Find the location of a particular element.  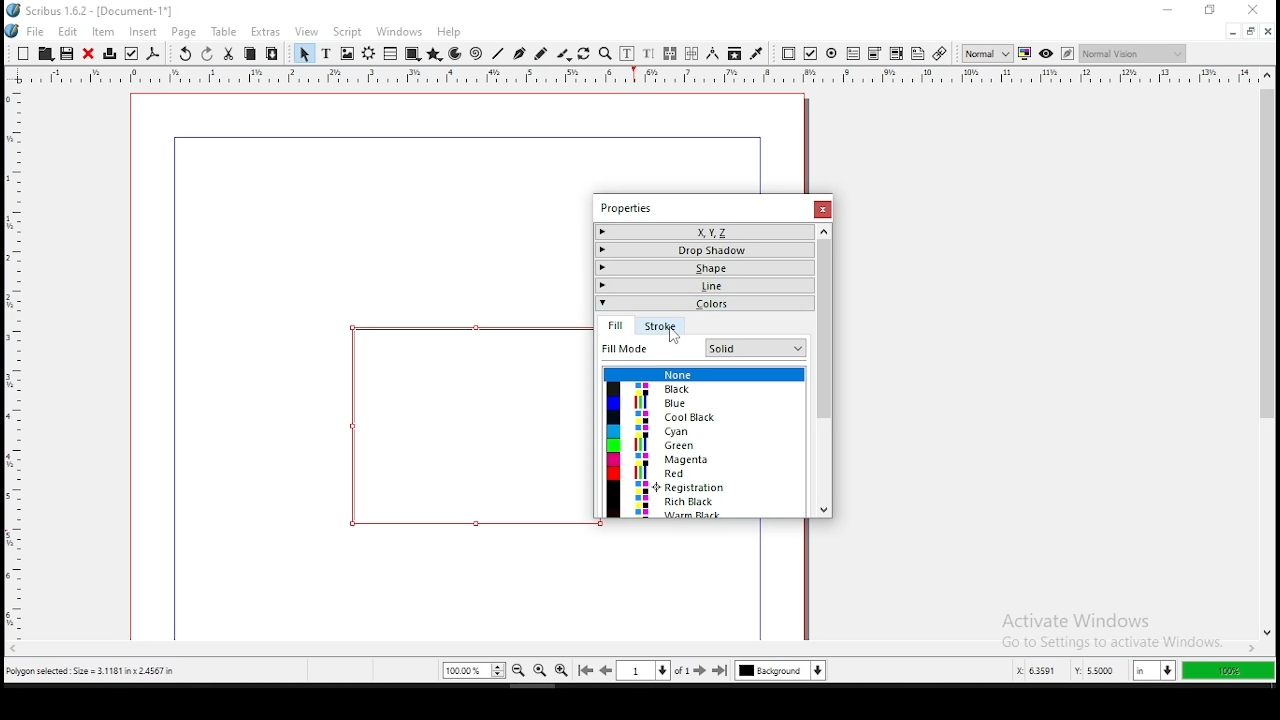

zoom 100% is located at coordinates (540, 670).